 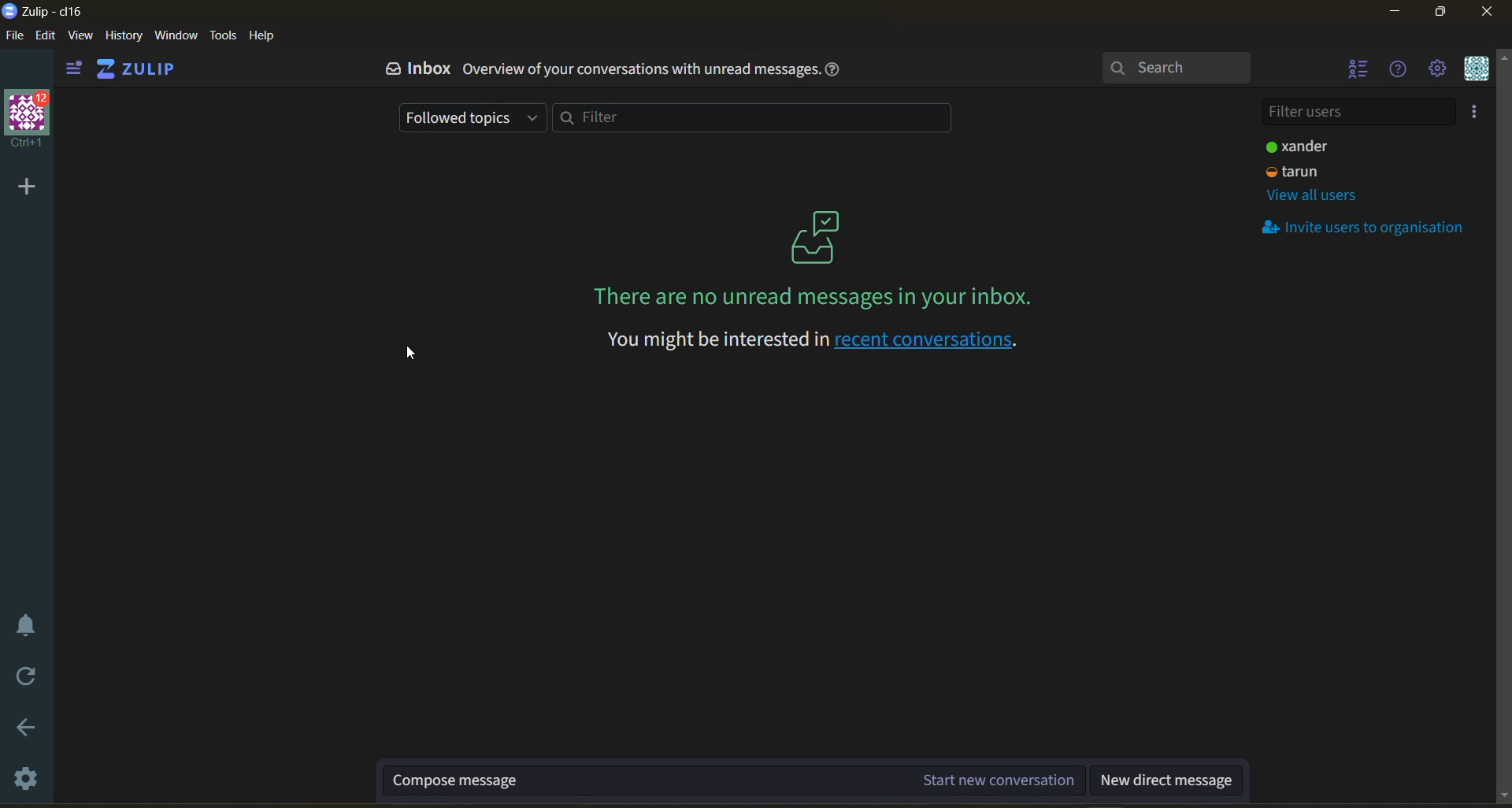 I want to click on settings, so click(x=26, y=779).